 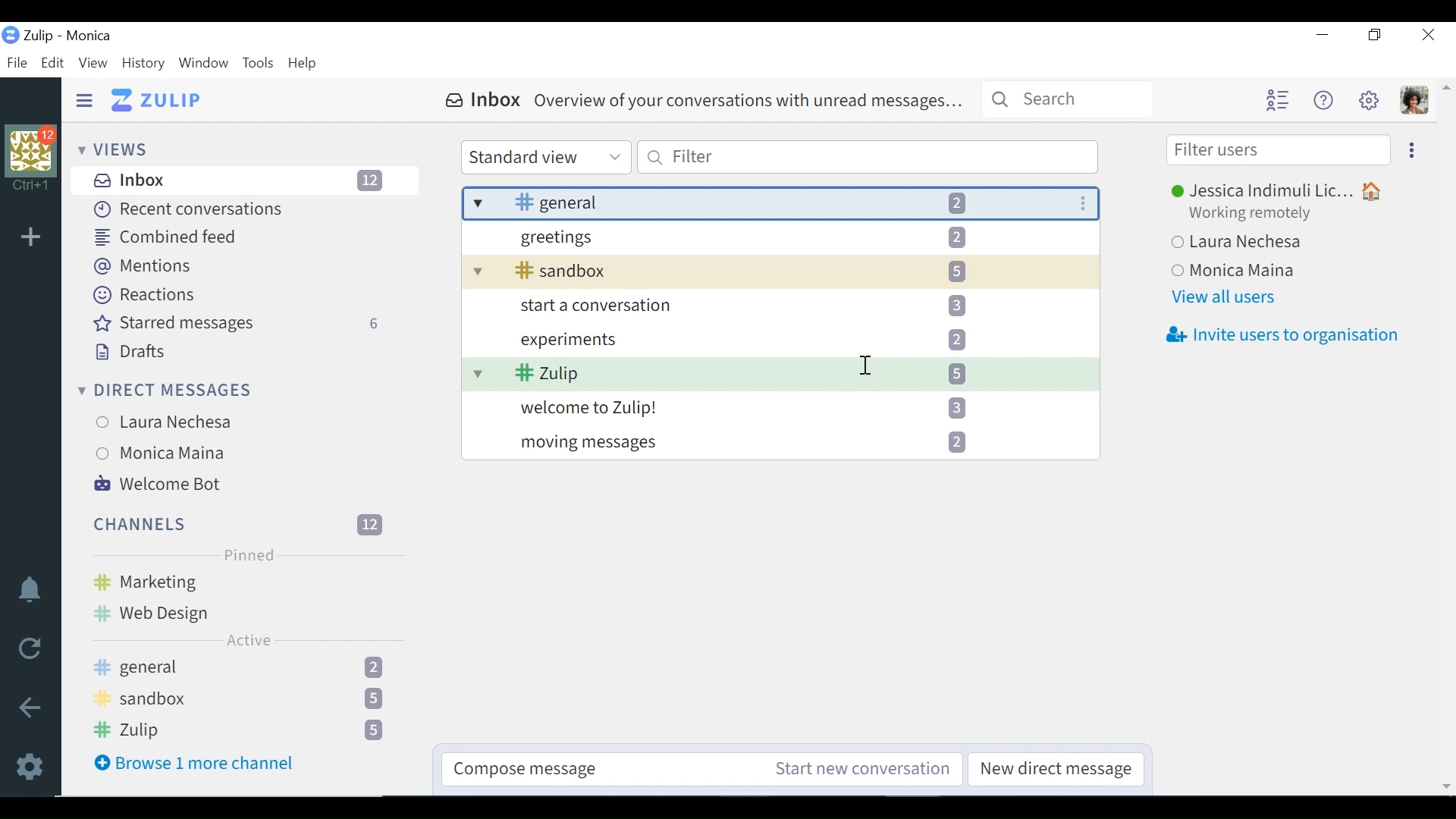 I want to click on I 5]
v  # 2ulip, so click(x=764, y=372).